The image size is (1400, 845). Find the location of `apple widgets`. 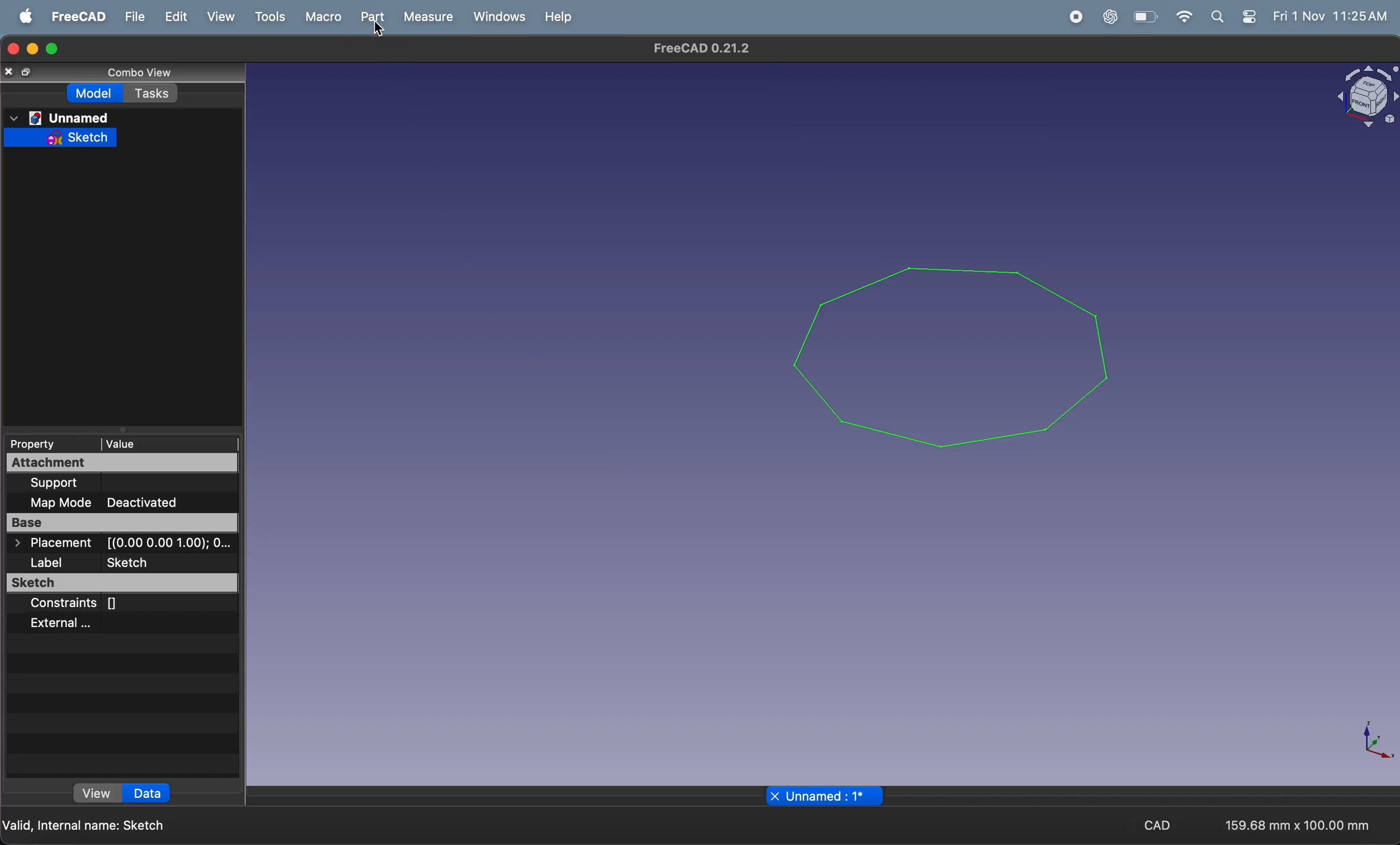

apple widgets is located at coordinates (1249, 16).